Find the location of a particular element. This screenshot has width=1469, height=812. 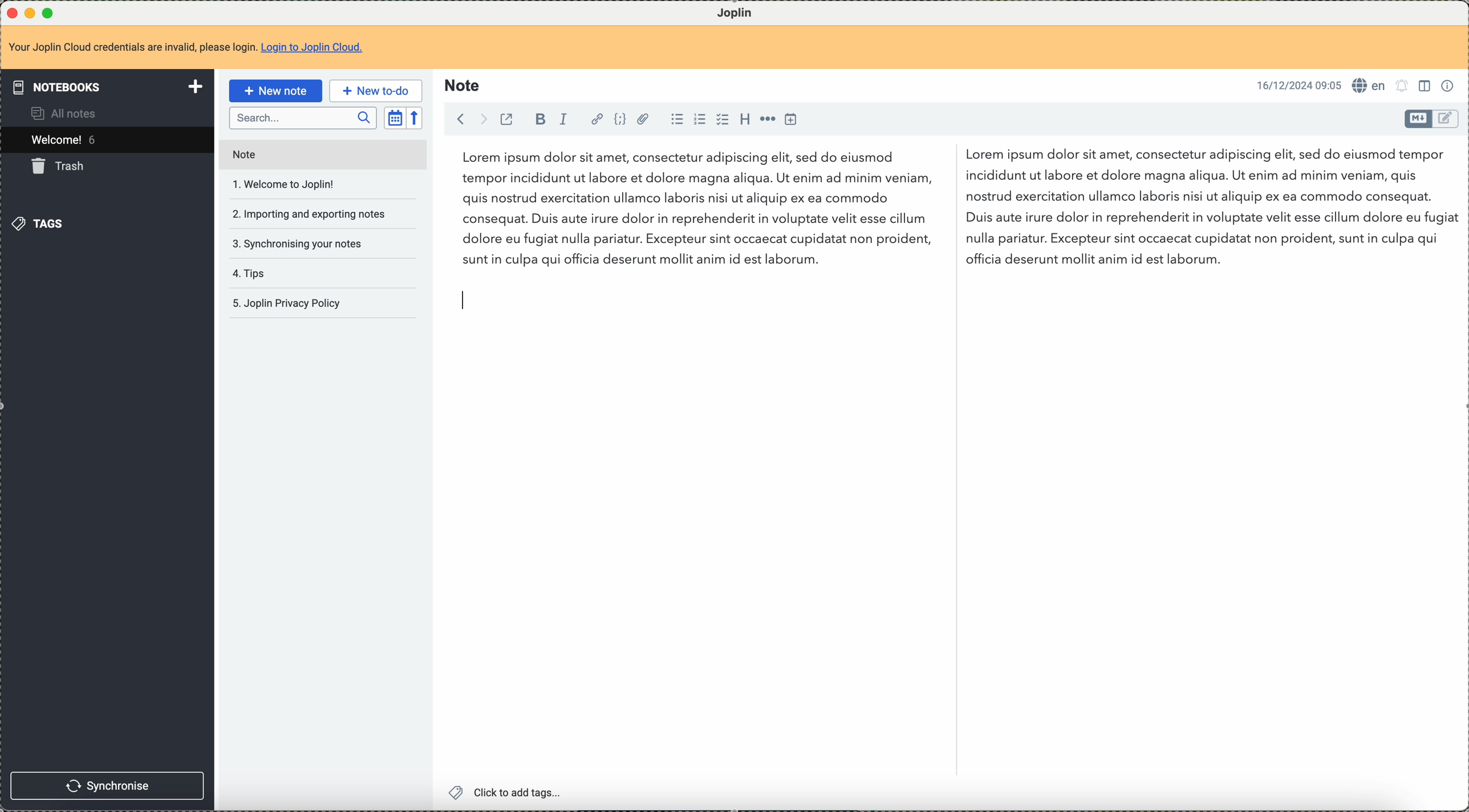

italic is located at coordinates (565, 119).